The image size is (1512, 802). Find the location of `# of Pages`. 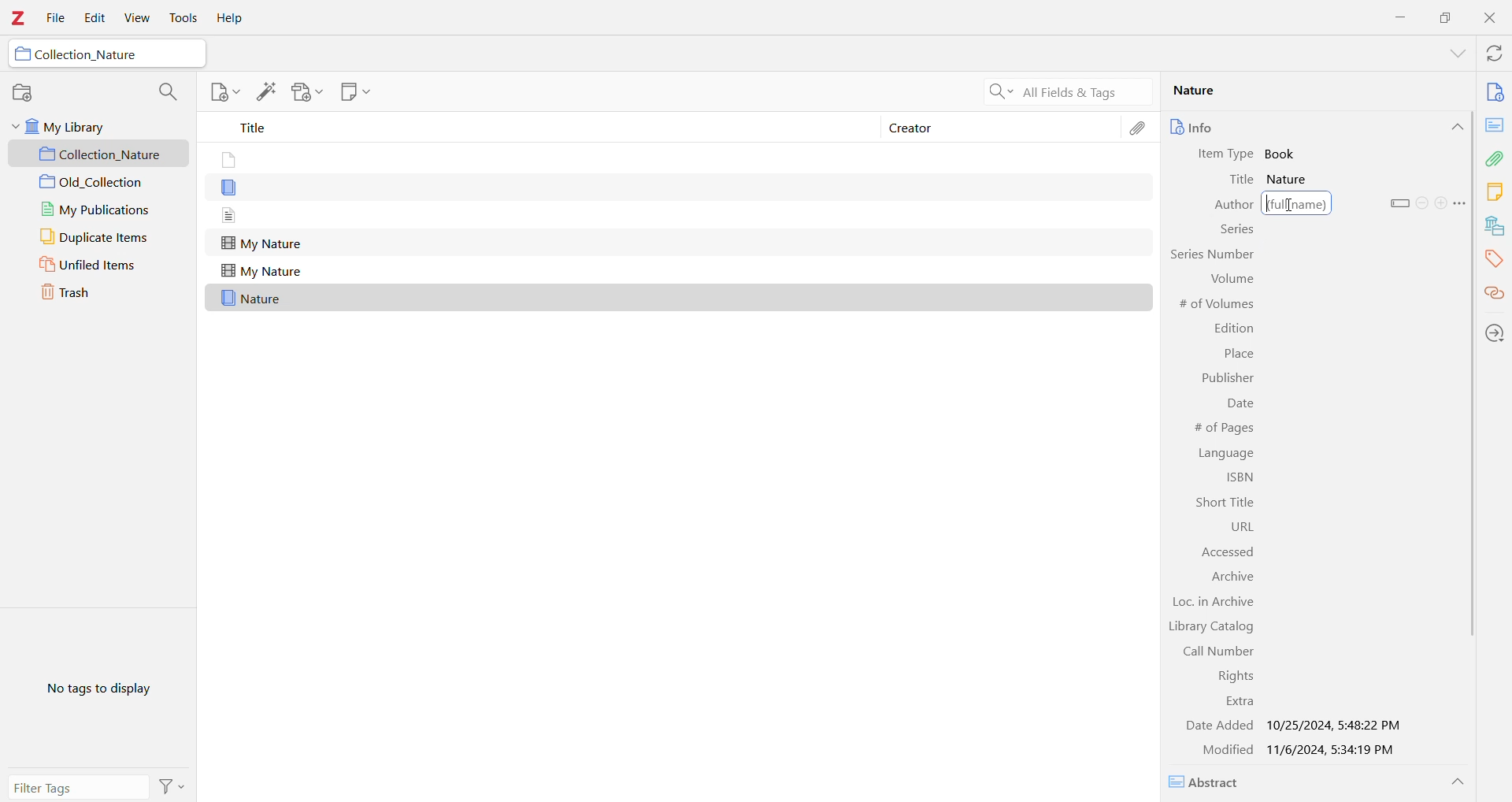

# of Pages is located at coordinates (1221, 428).